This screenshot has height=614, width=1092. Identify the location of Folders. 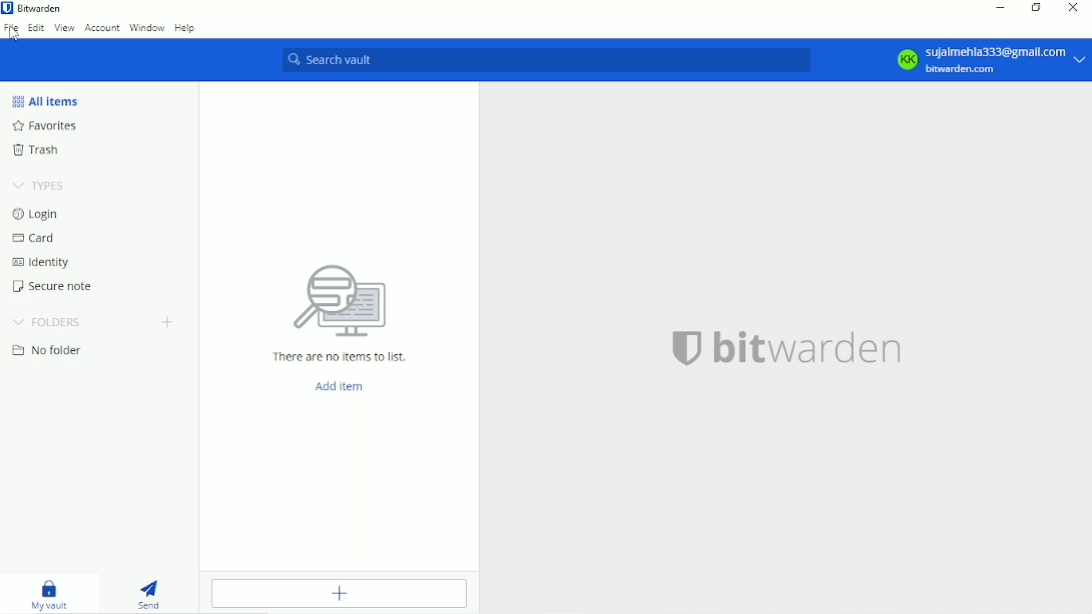
(47, 322).